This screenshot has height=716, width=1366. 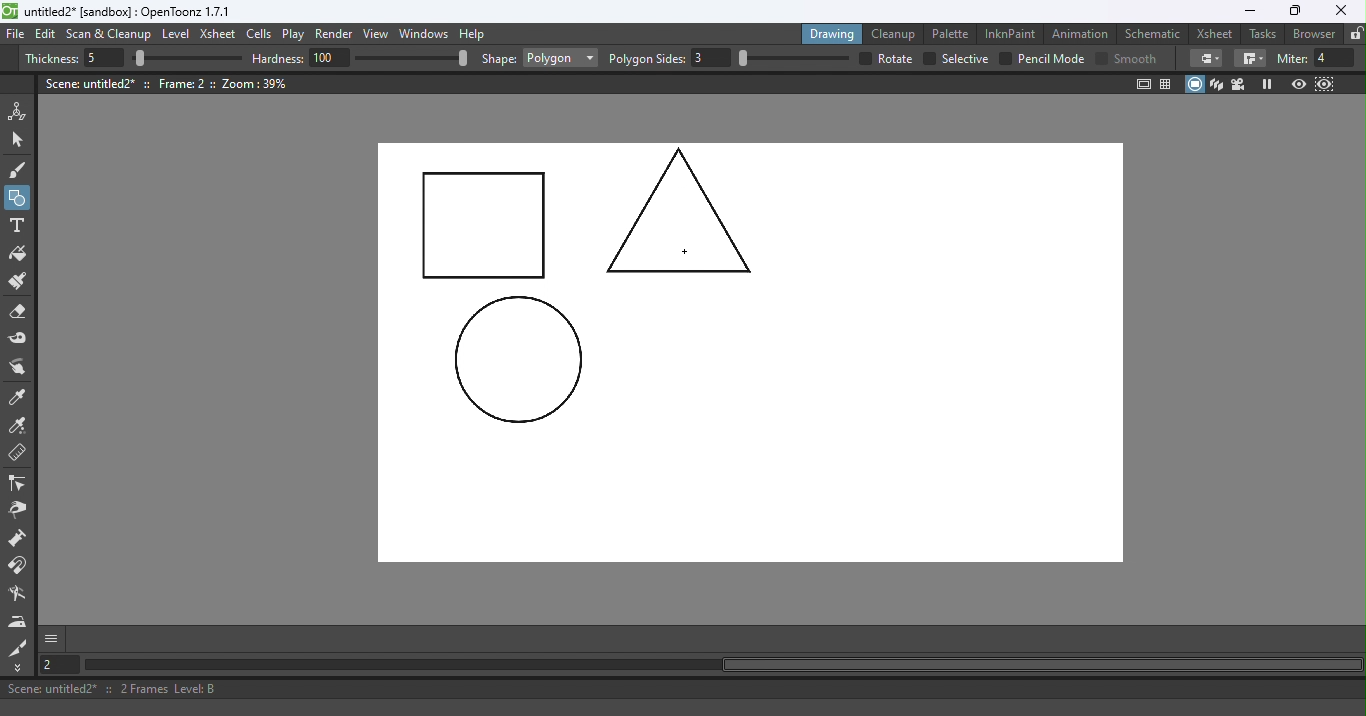 What do you see at coordinates (560, 58) in the screenshot?
I see `Rectangle ` at bounding box center [560, 58].